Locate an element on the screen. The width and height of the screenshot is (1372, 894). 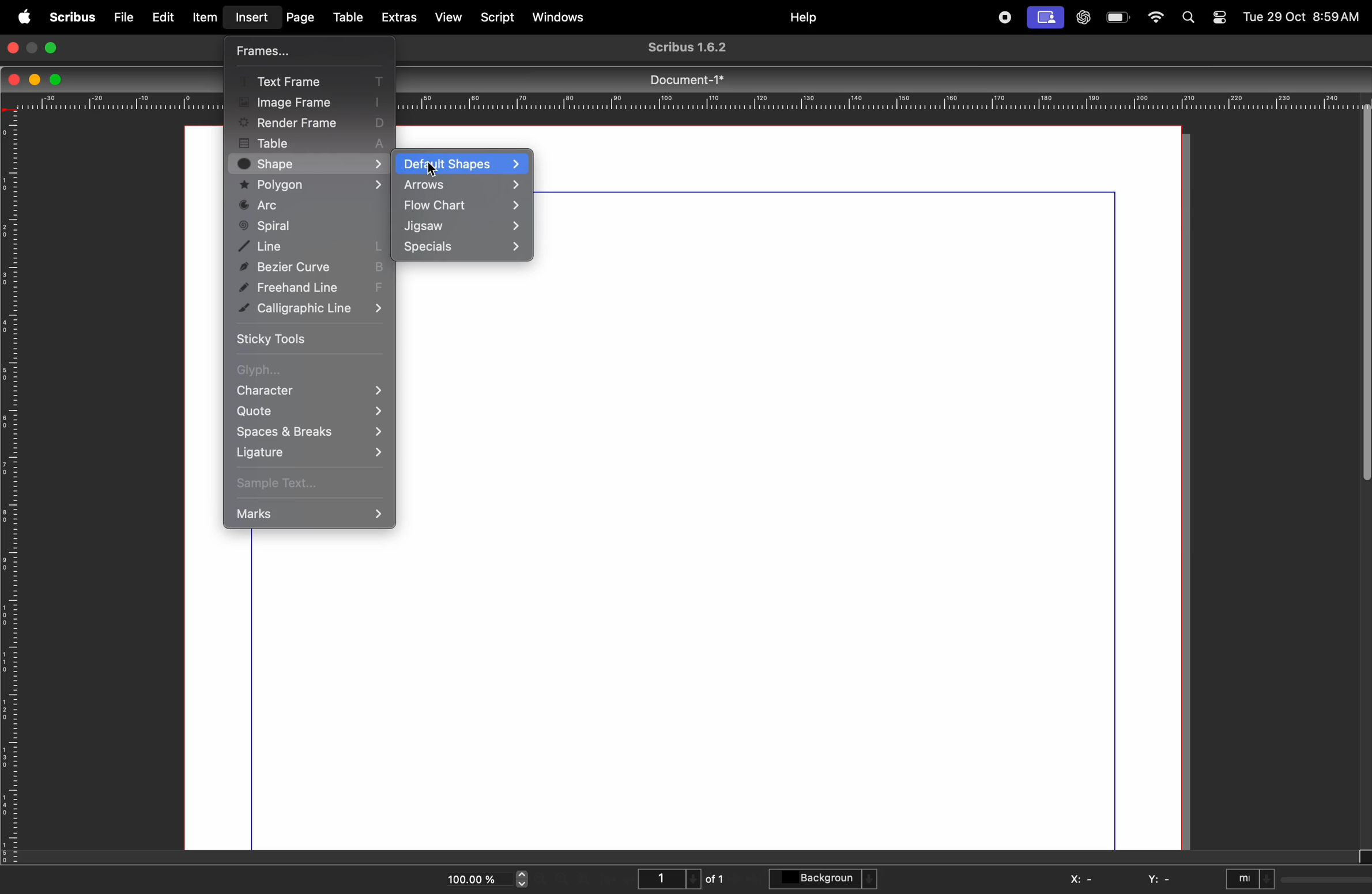
polygon is located at coordinates (312, 185).